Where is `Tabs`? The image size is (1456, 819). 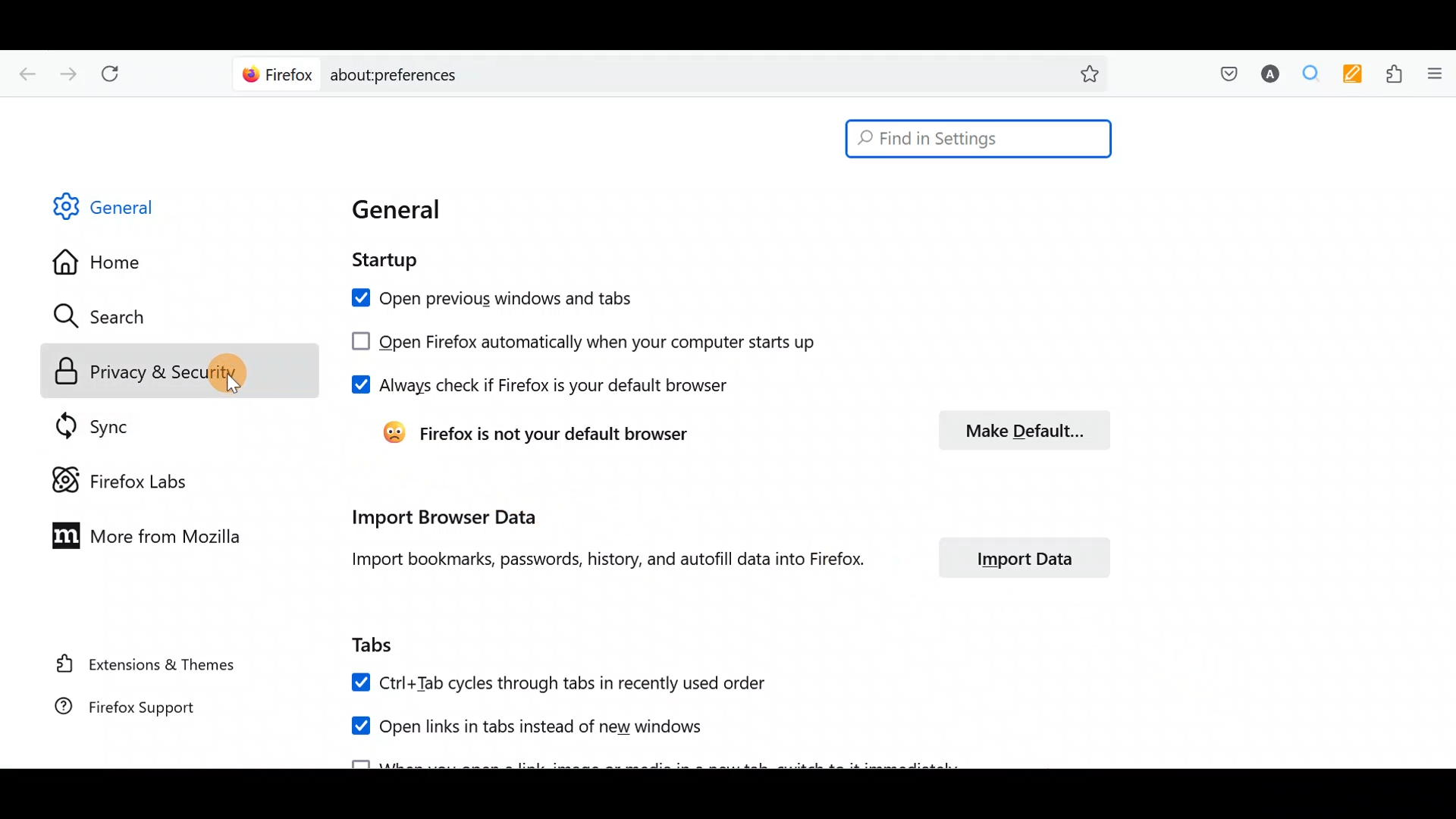 Tabs is located at coordinates (381, 645).